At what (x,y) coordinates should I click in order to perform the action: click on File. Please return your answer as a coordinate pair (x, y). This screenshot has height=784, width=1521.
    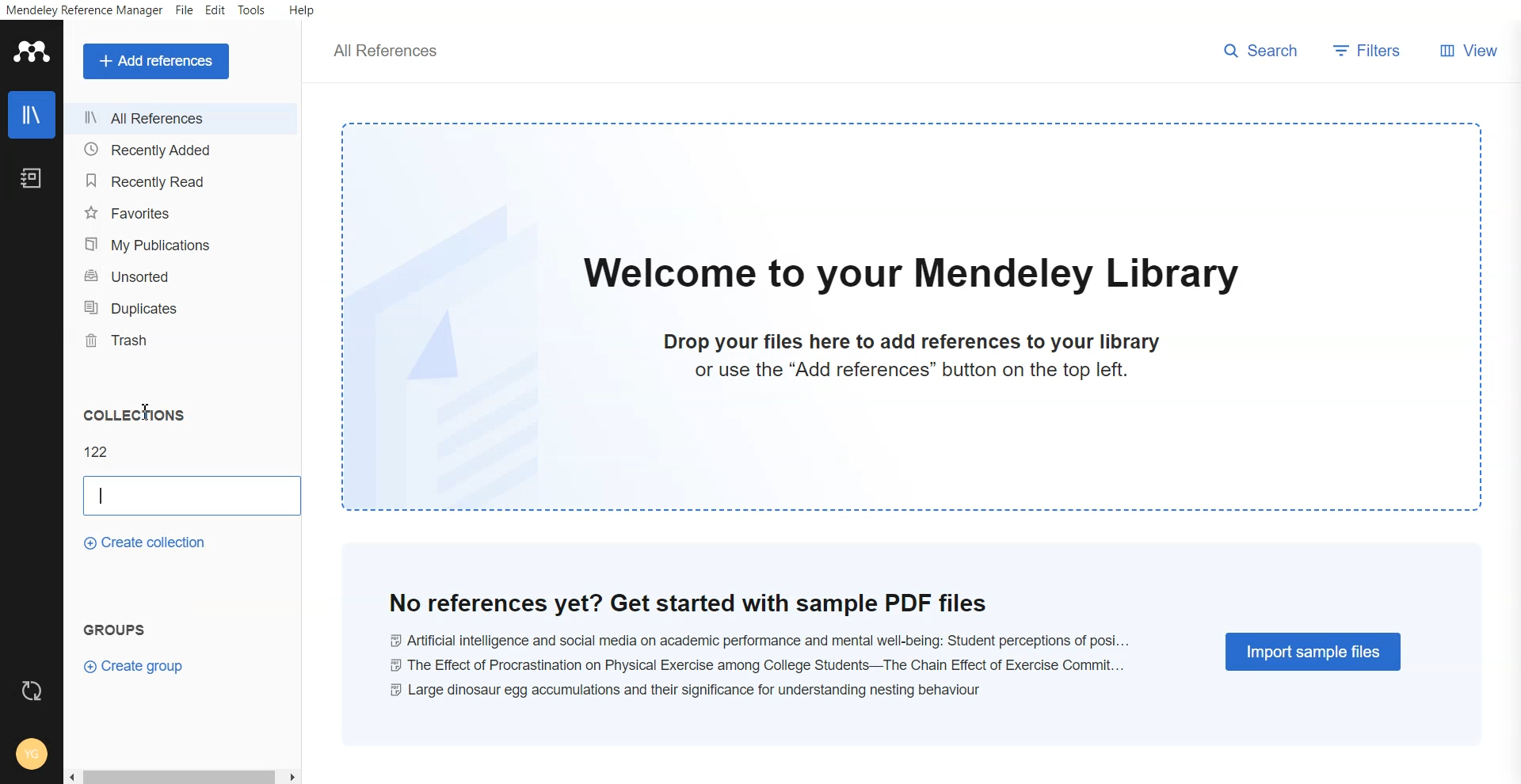
    Looking at the image, I should click on (185, 10).